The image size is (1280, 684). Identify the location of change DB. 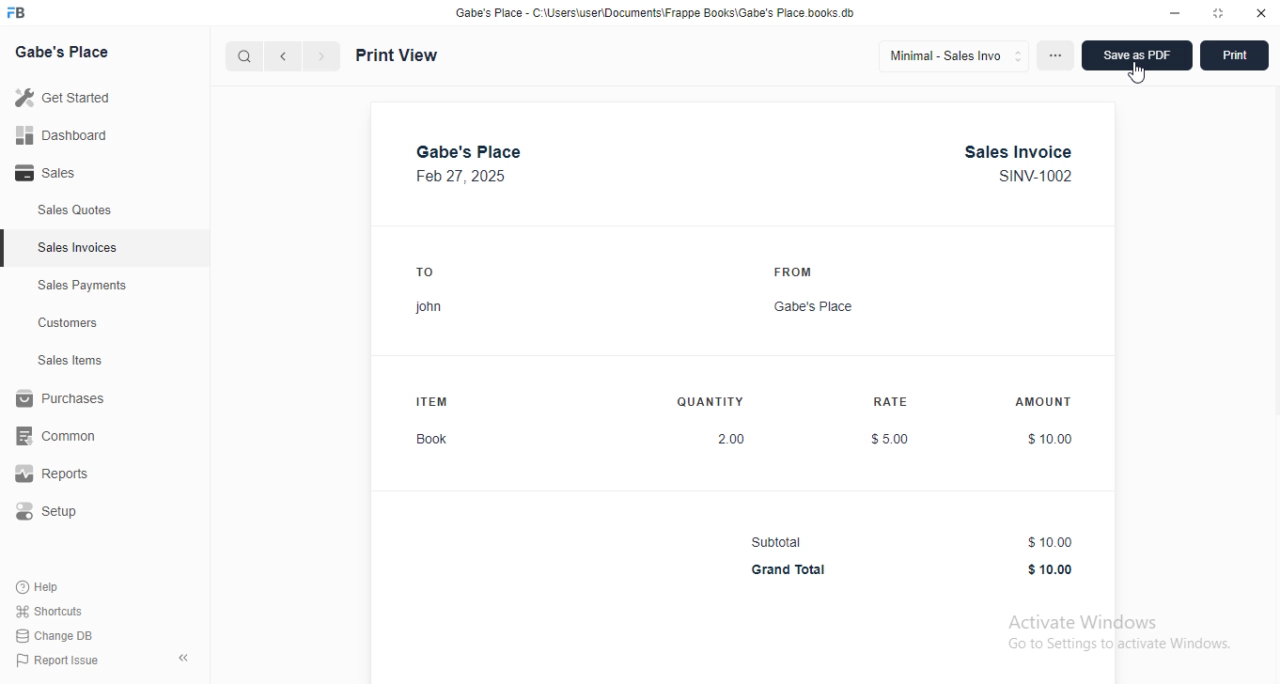
(54, 636).